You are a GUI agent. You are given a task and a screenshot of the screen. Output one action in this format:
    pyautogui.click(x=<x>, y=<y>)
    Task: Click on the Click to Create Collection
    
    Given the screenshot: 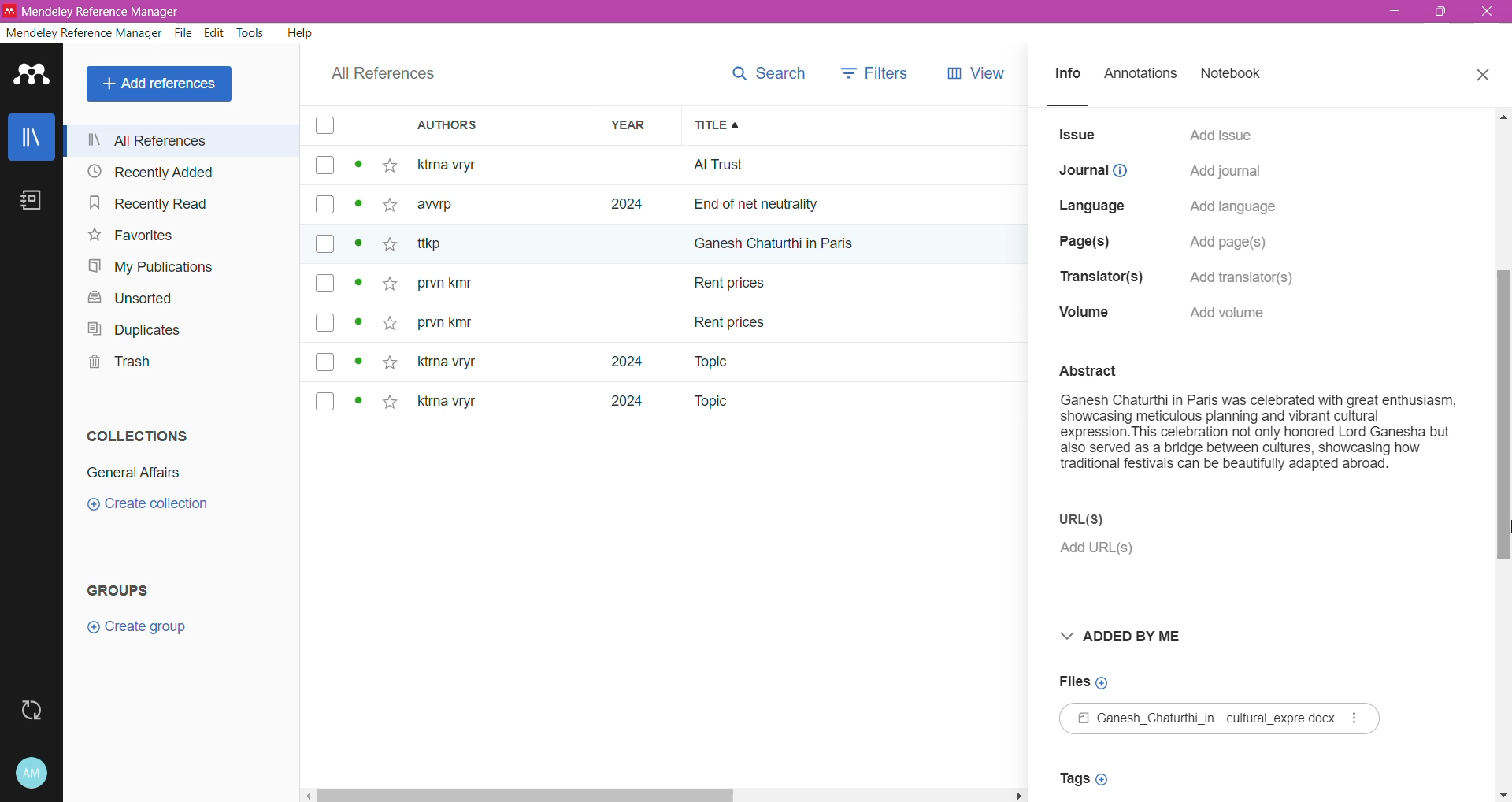 What is the action you would take?
    pyautogui.click(x=156, y=507)
    